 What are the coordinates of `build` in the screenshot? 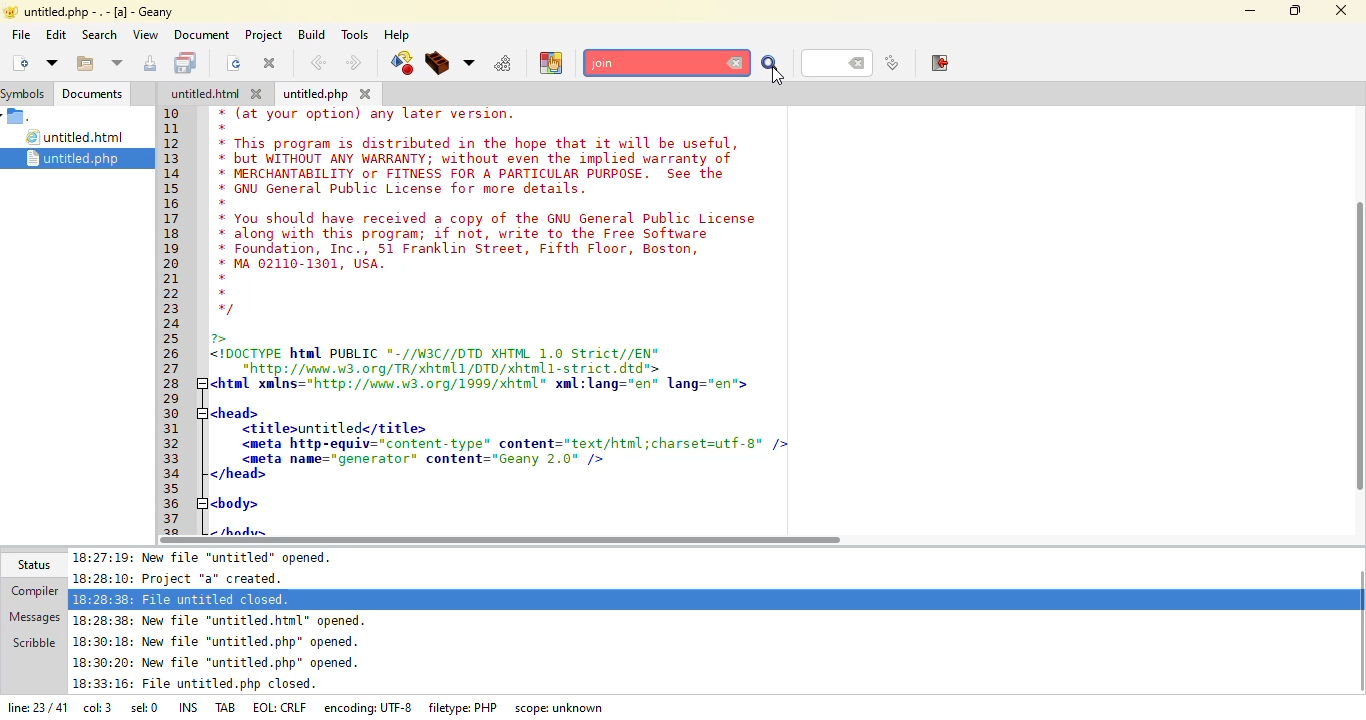 It's located at (438, 64).